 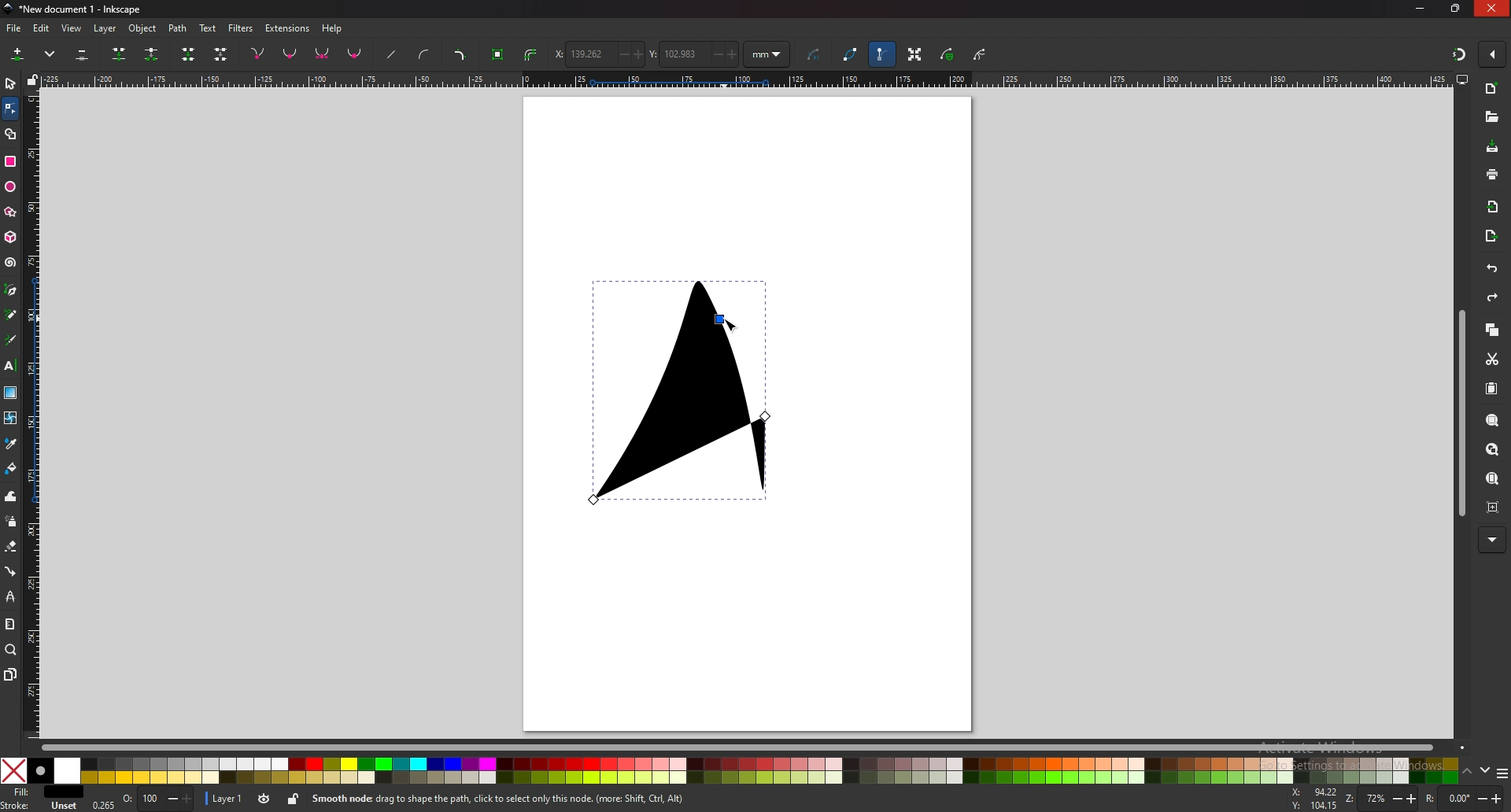 What do you see at coordinates (11, 290) in the screenshot?
I see `pen` at bounding box center [11, 290].